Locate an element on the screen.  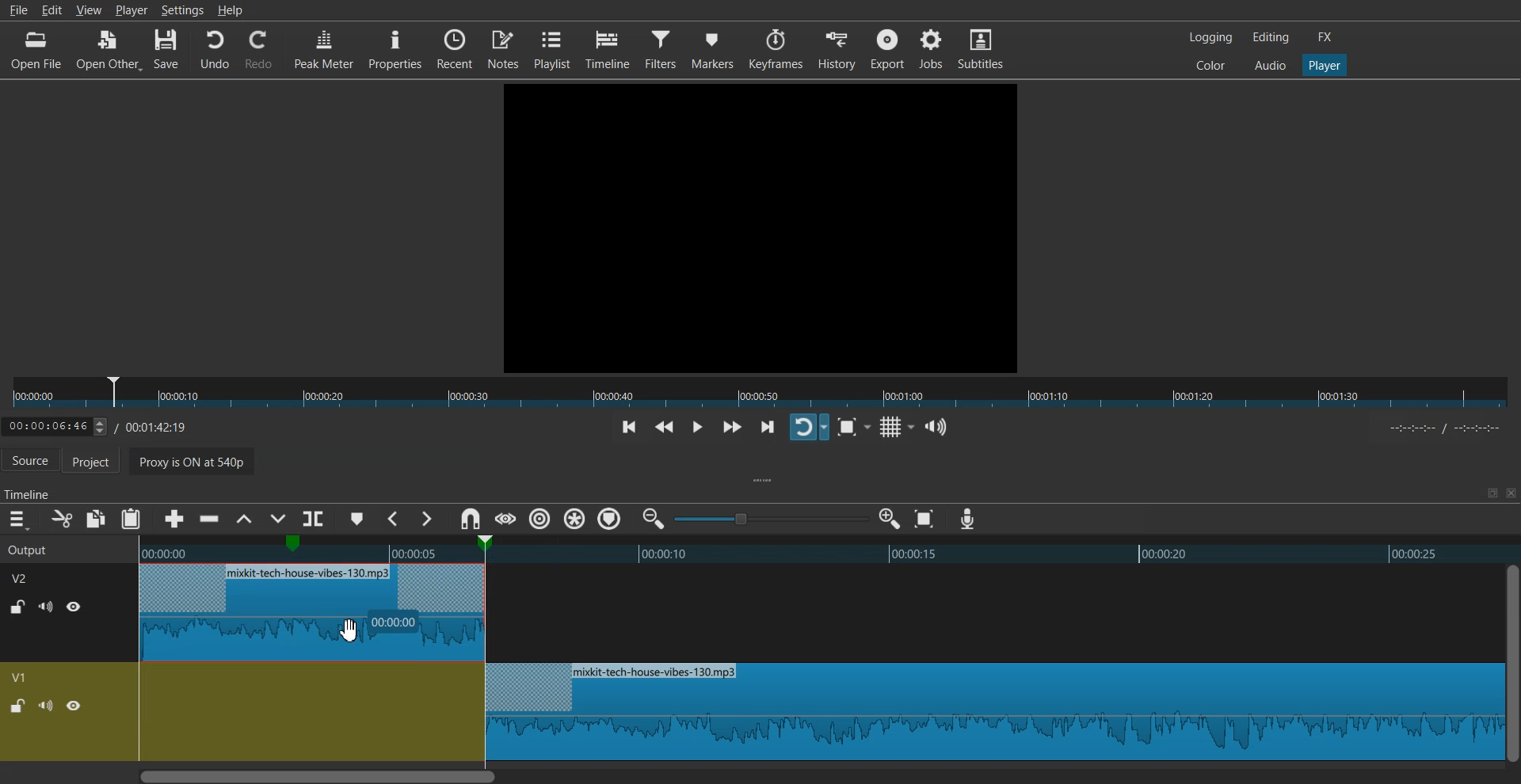
Scrub while dragging is located at coordinates (505, 519).